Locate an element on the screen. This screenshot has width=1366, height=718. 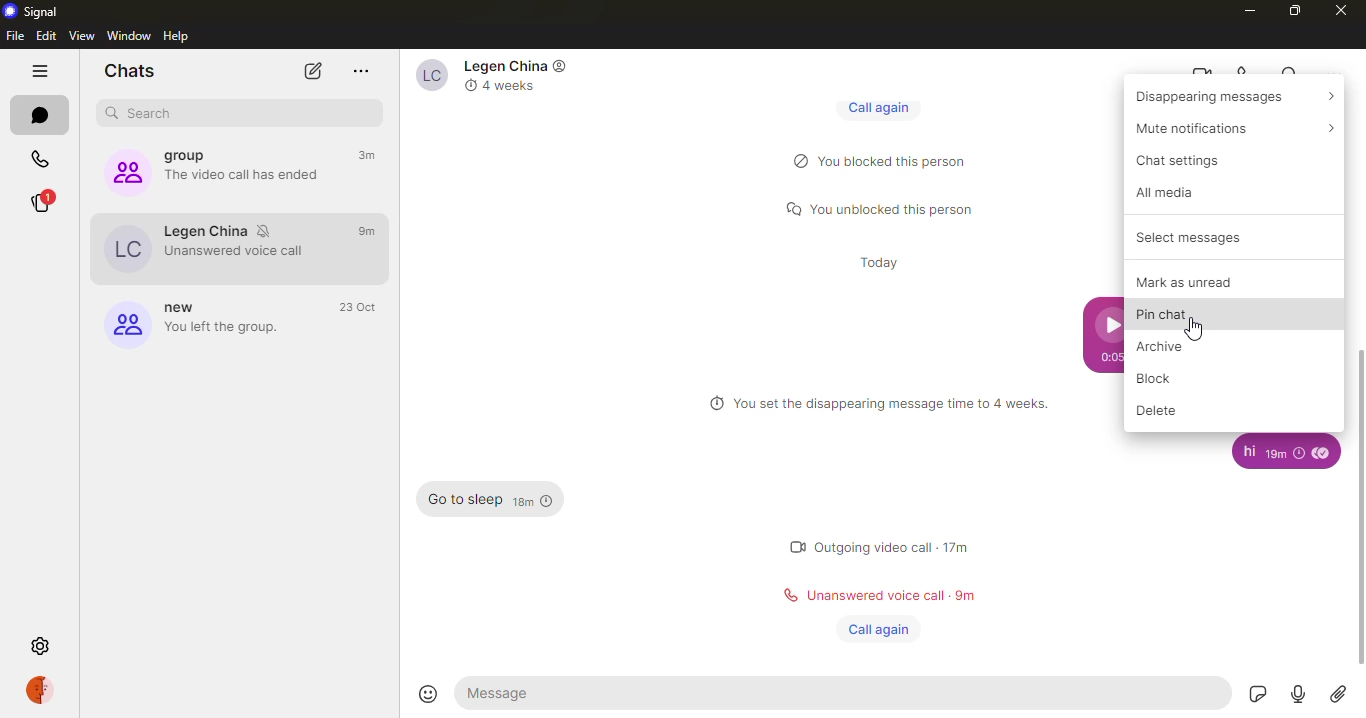
mute notifications is located at coordinates (1222, 128).